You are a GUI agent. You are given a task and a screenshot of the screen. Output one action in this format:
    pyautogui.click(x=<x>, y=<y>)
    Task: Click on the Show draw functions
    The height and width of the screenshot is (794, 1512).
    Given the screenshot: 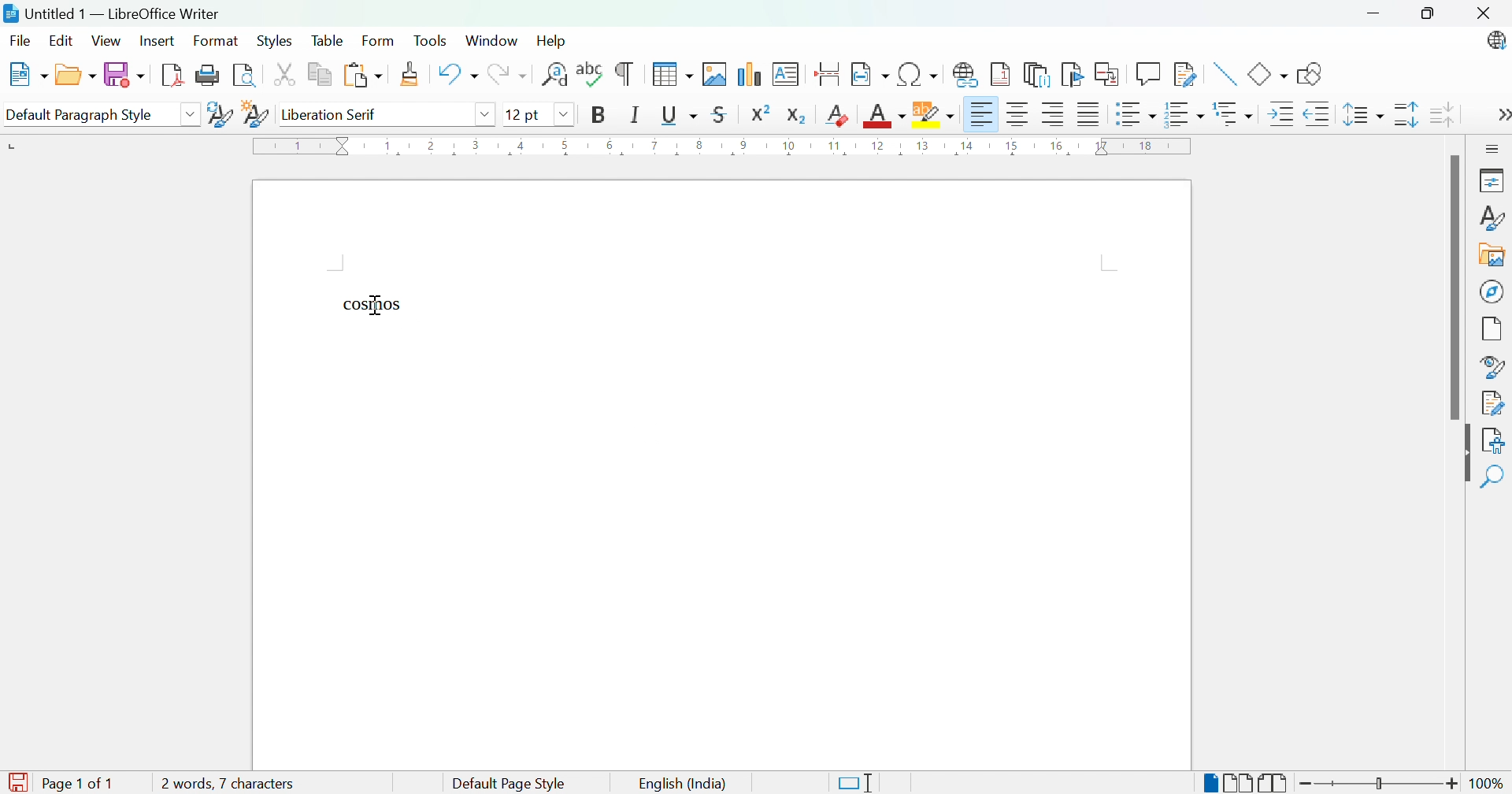 What is the action you would take?
    pyautogui.click(x=1314, y=75)
    